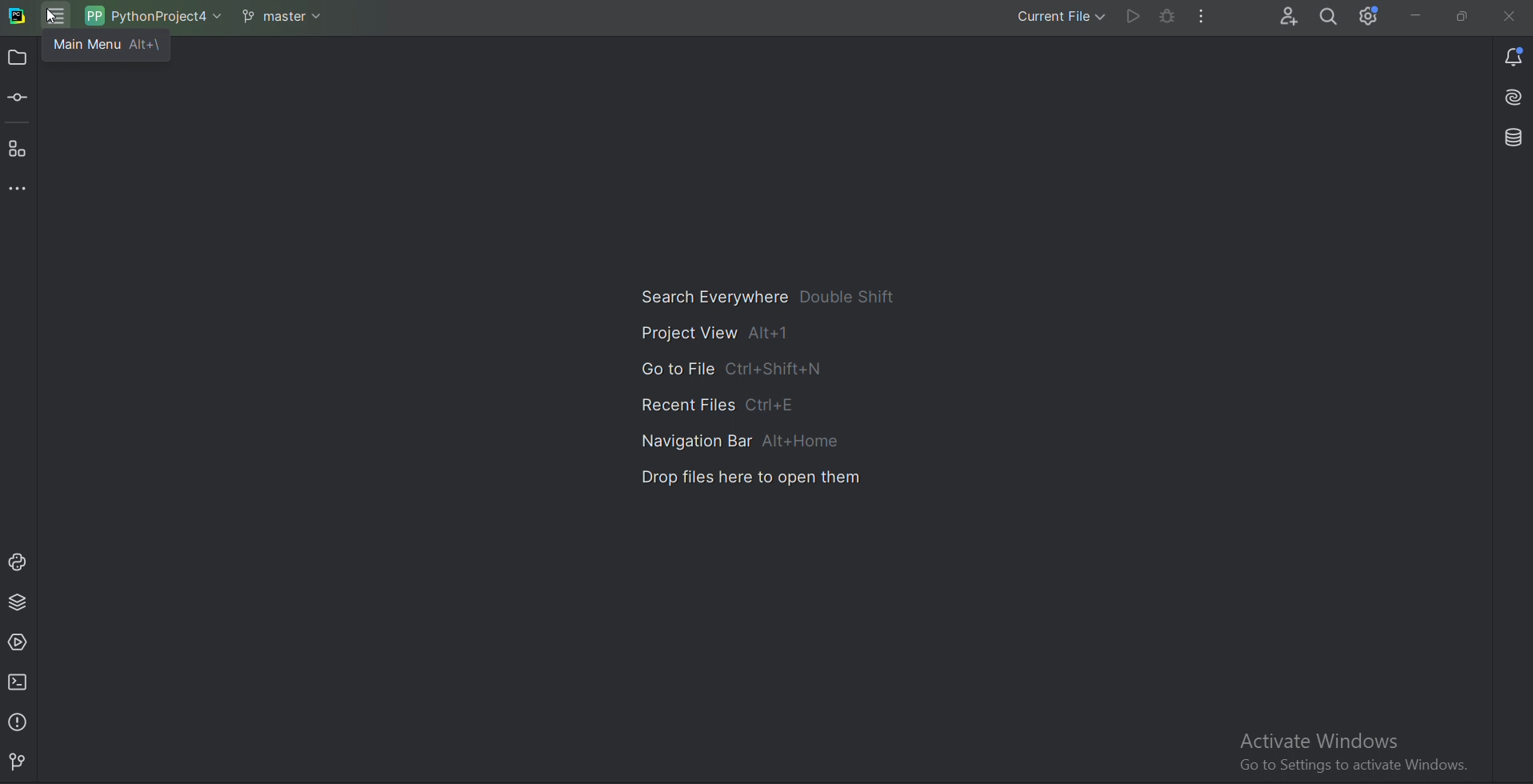 This screenshot has width=1533, height=784. I want to click on Git branch master, so click(280, 16).